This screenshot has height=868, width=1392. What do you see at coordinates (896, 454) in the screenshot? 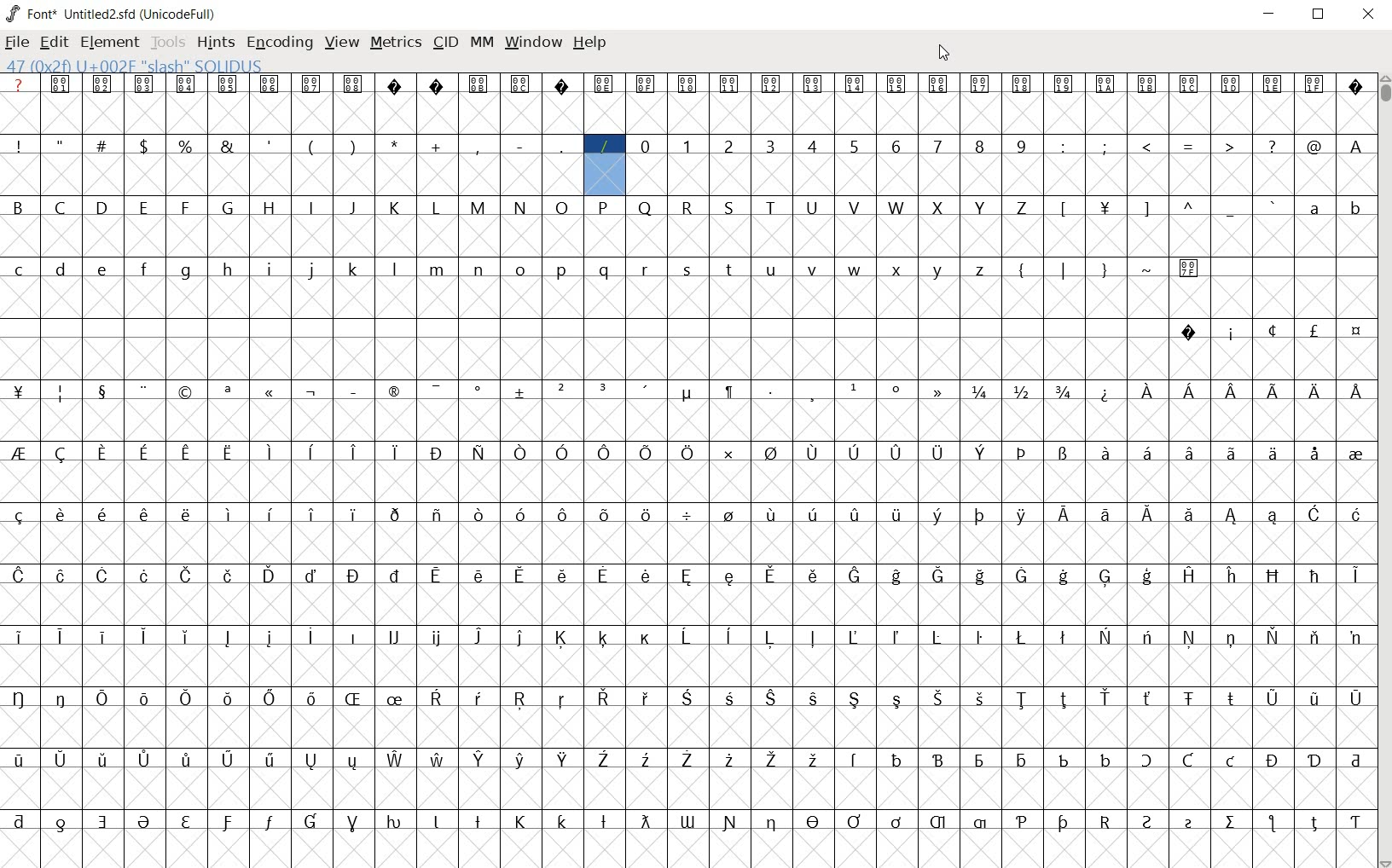
I see `glyph` at bounding box center [896, 454].